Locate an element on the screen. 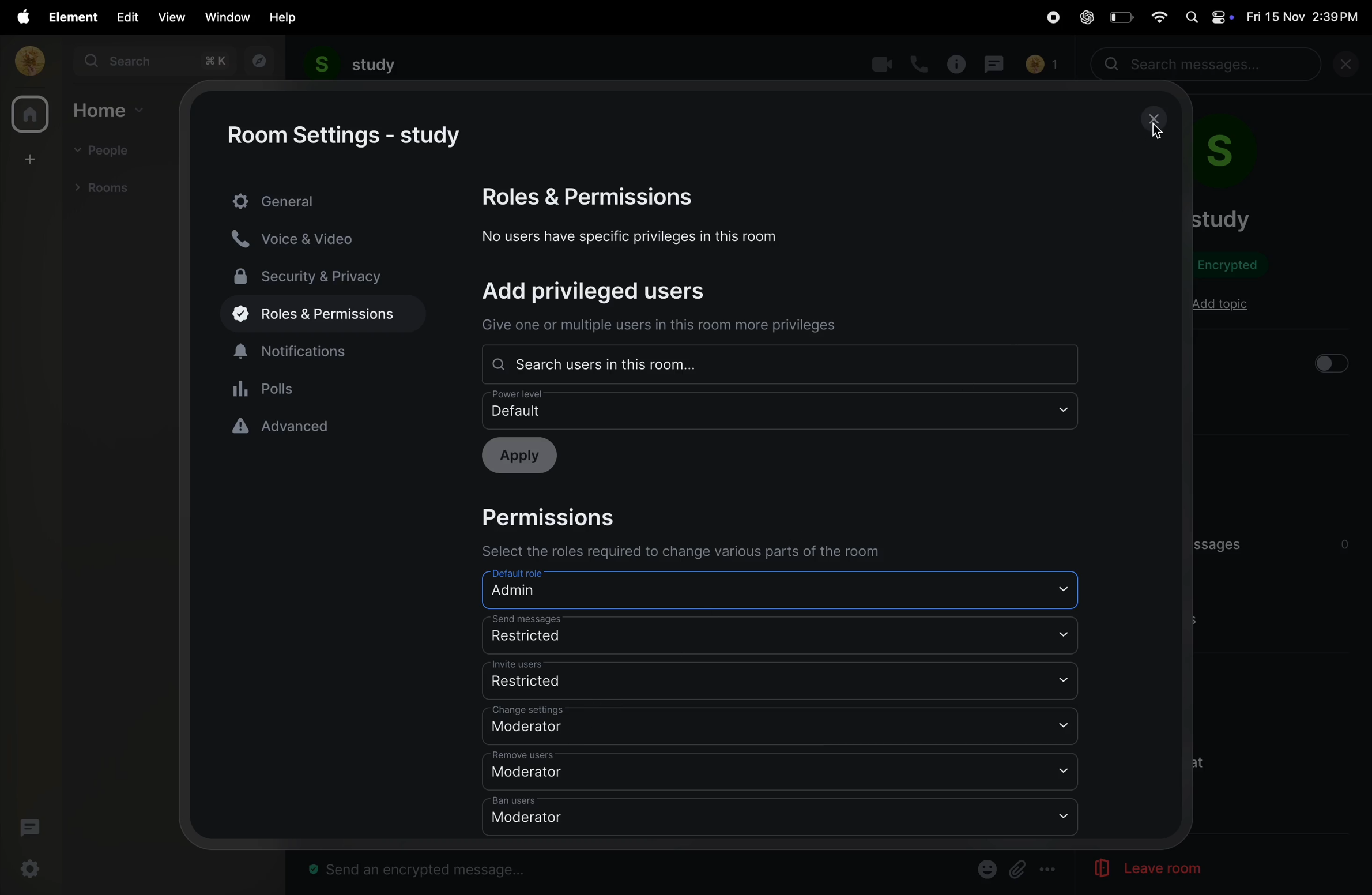  security and privacy  is located at coordinates (316, 275).